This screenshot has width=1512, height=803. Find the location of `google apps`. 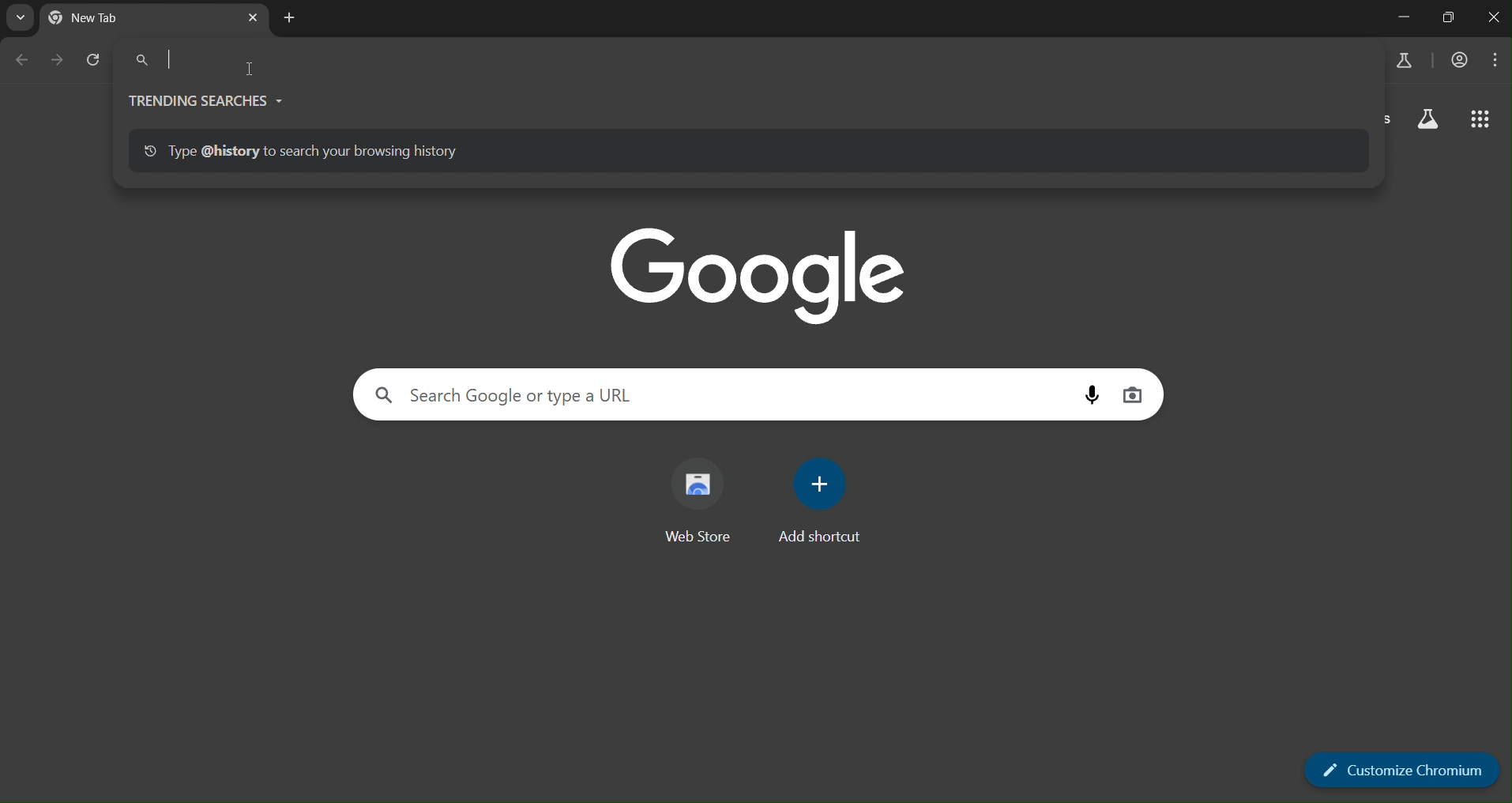

google apps is located at coordinates (1478, 117).